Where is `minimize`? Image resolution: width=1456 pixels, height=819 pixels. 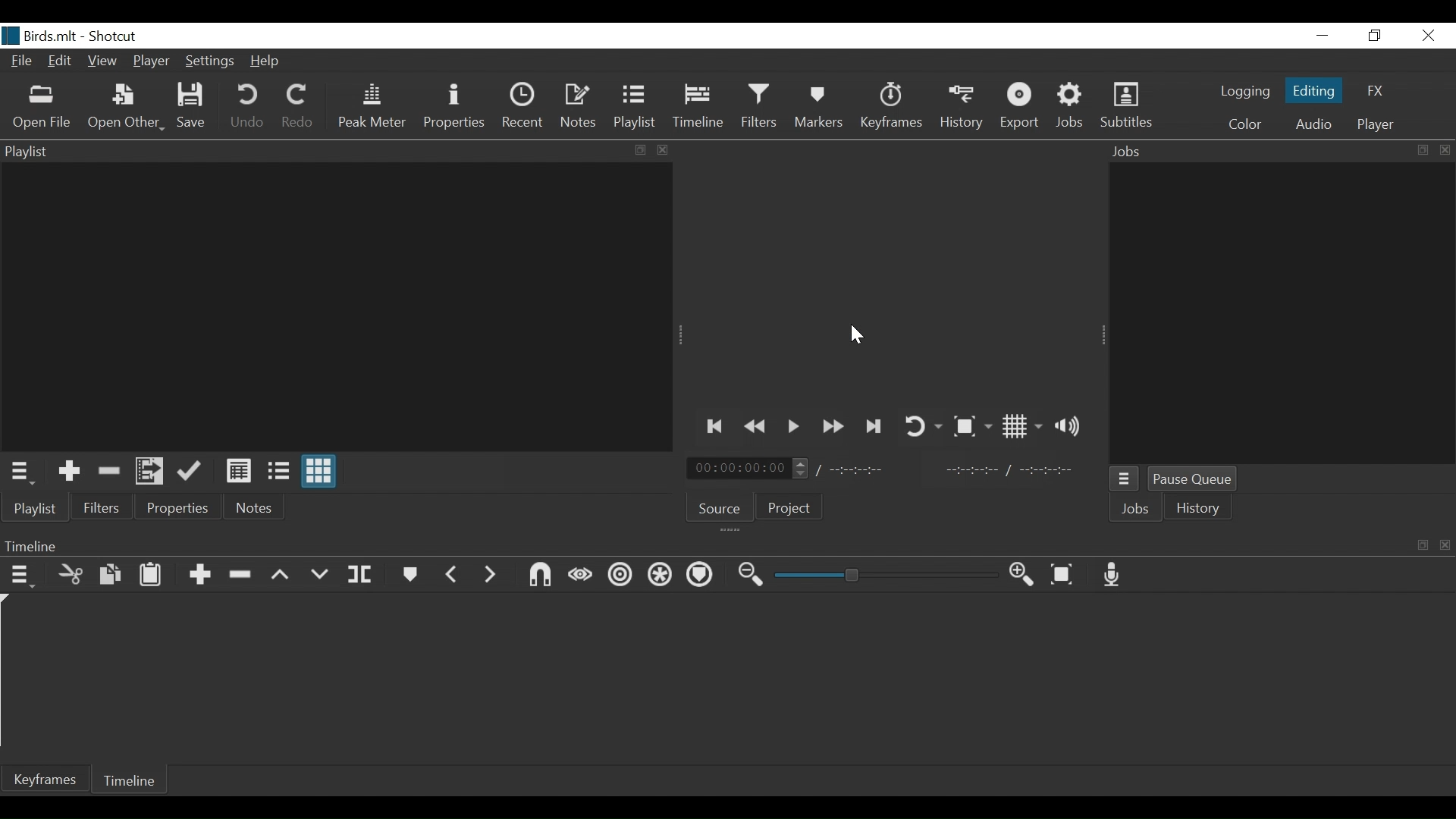
minimize is located at coordinates (1323, 35).